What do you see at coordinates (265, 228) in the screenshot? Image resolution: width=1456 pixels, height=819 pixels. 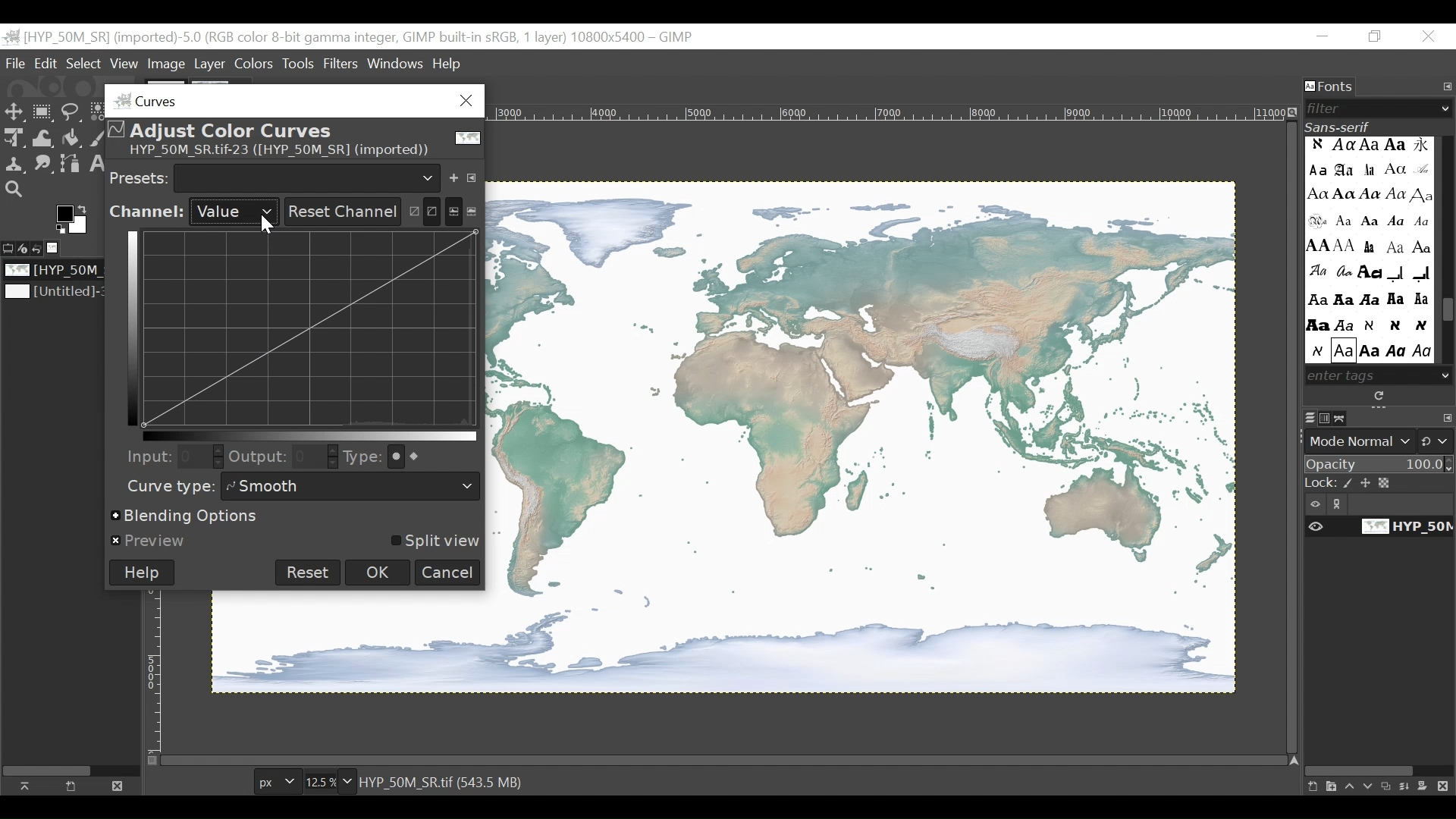 I see `cursor` at bounding box center [265, 228].